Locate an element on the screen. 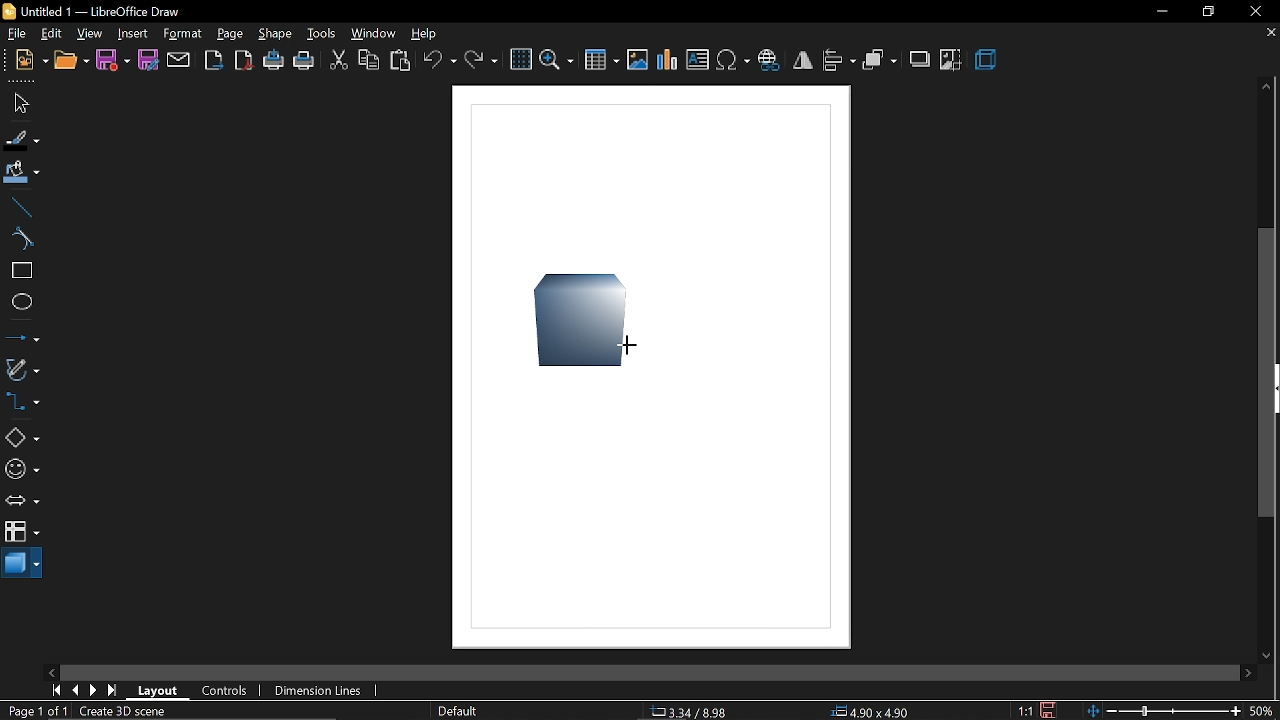 This screenshot has height=720, width=1280. insert symbol is located at coordinates (734, 59).